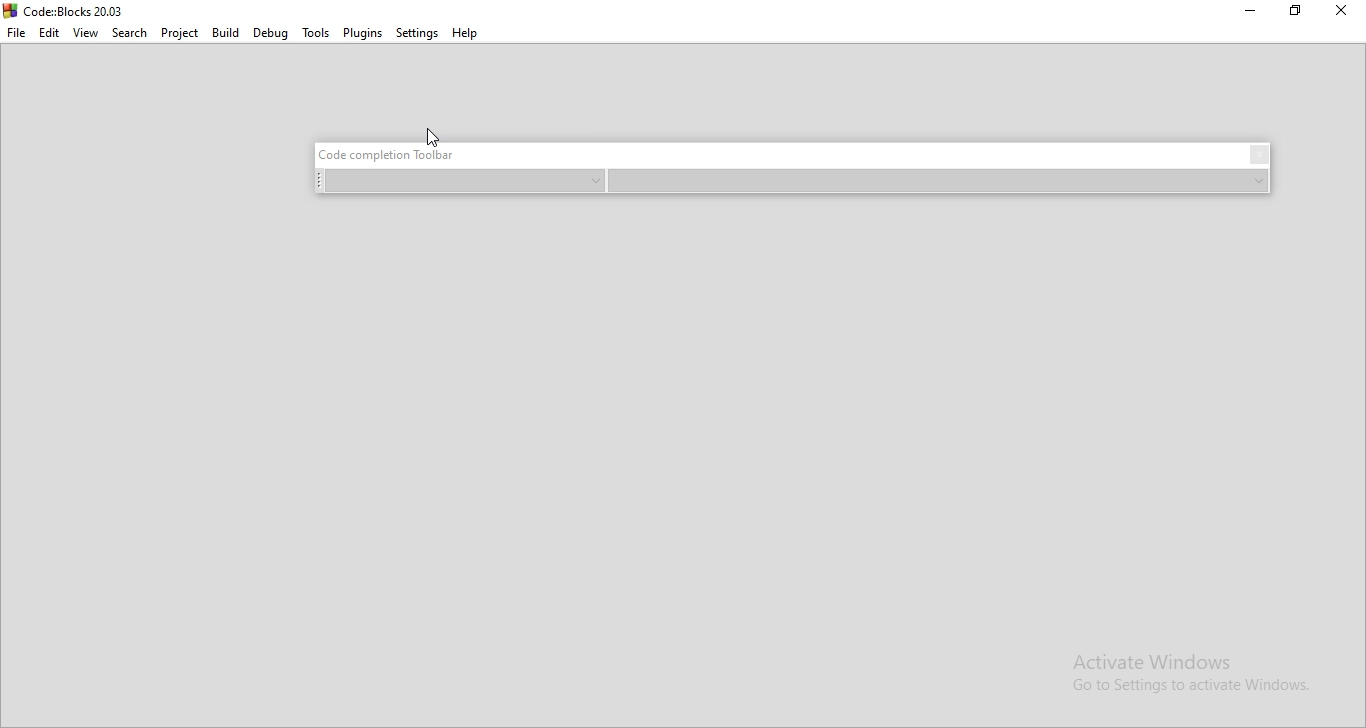 The width and height of the screenshot is (1366, 728). Describe the element at coordinates (313, 33) in the screenshot. I see `Tools ` at that location.